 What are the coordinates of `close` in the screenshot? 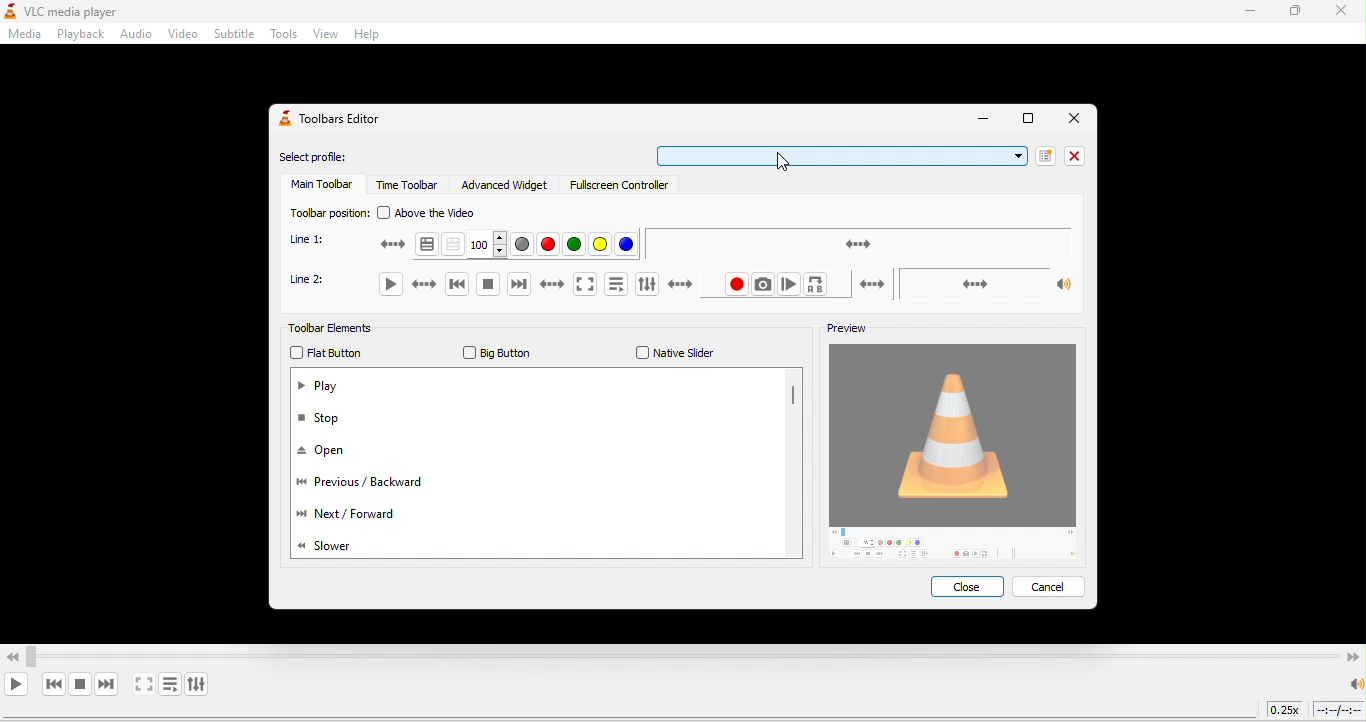 It's located at (971, 589).